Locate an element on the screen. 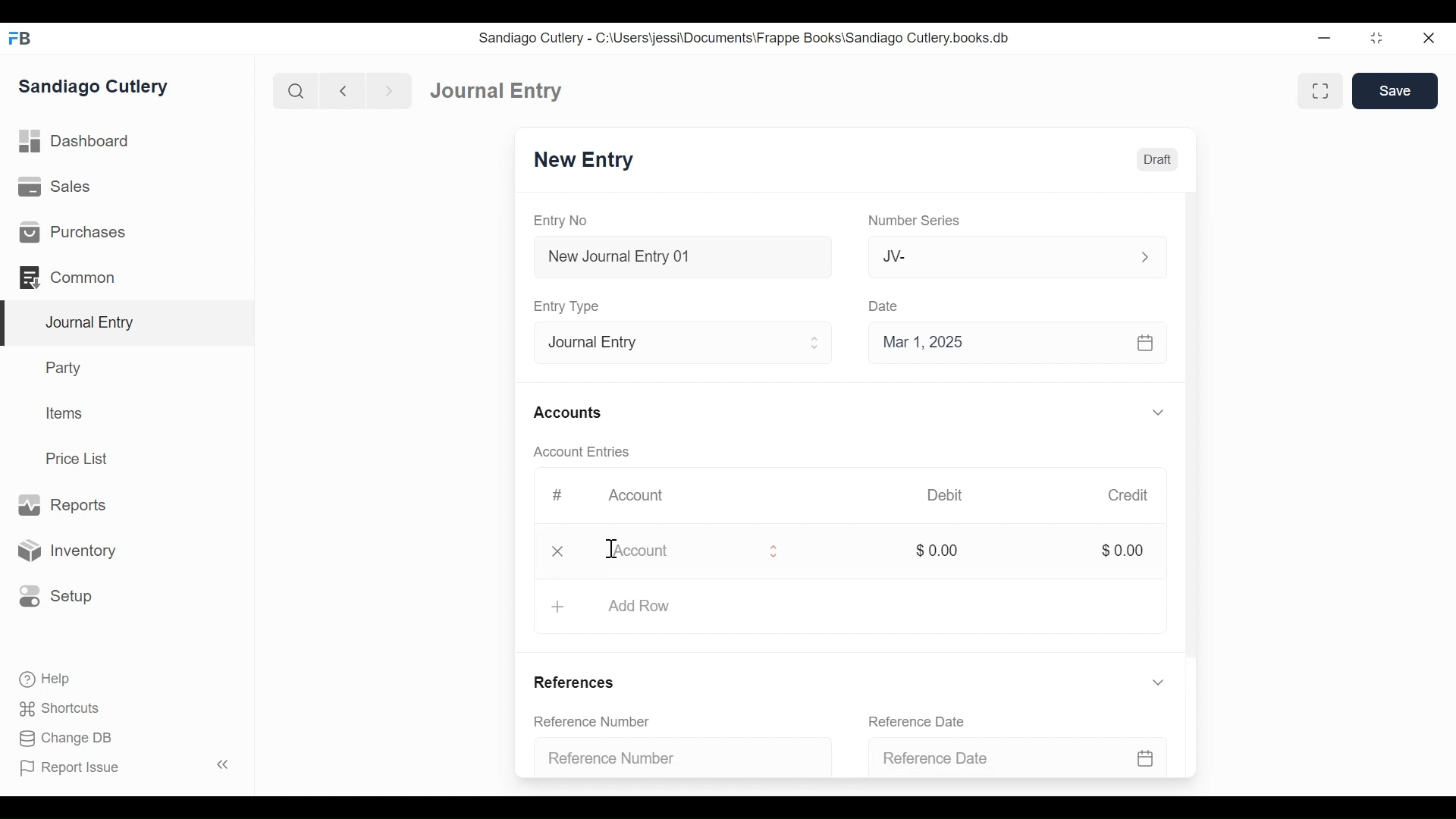  # is located at coordinates (552, 495).